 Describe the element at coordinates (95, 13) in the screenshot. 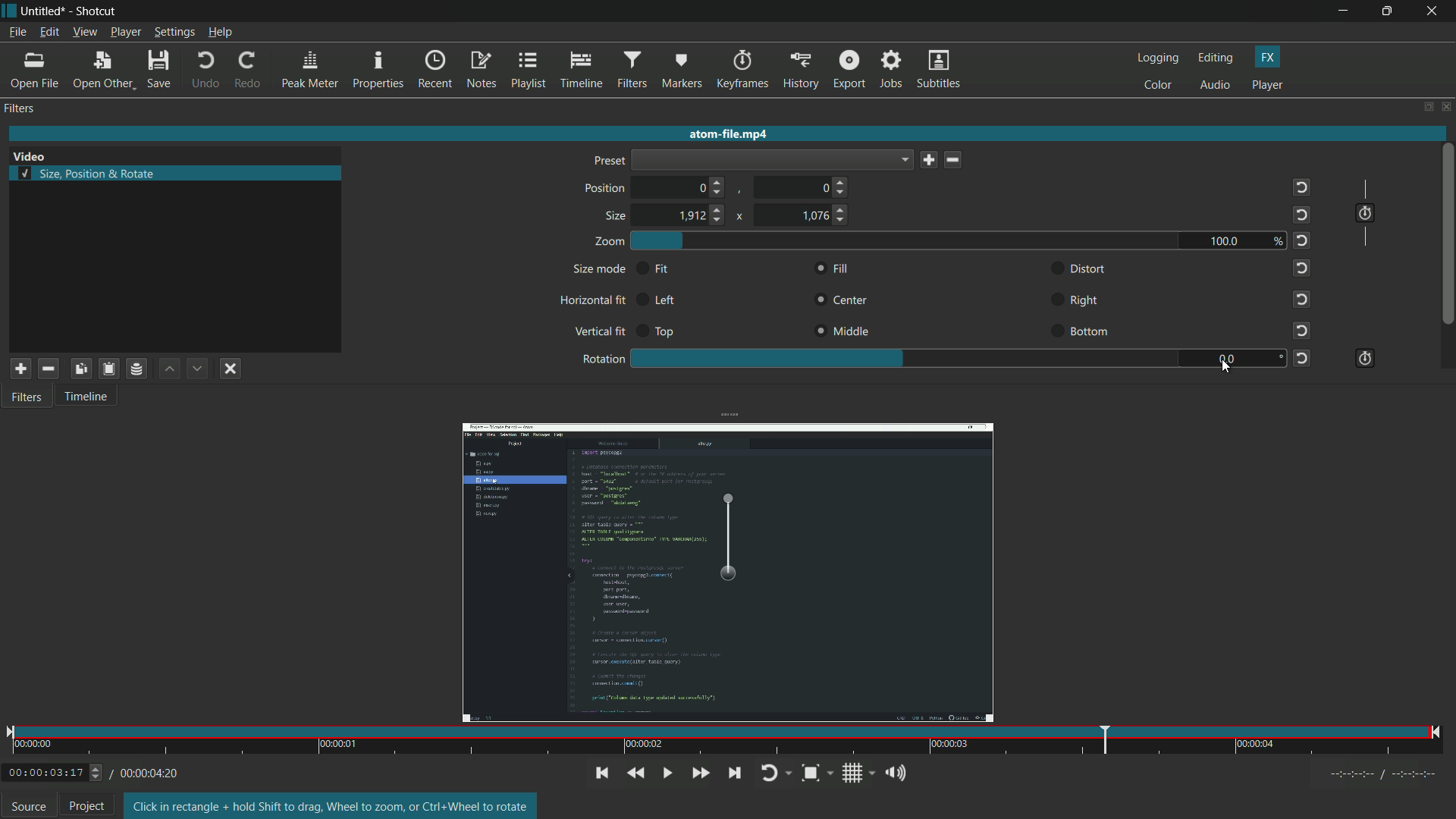

I see `shotcut` at that location.